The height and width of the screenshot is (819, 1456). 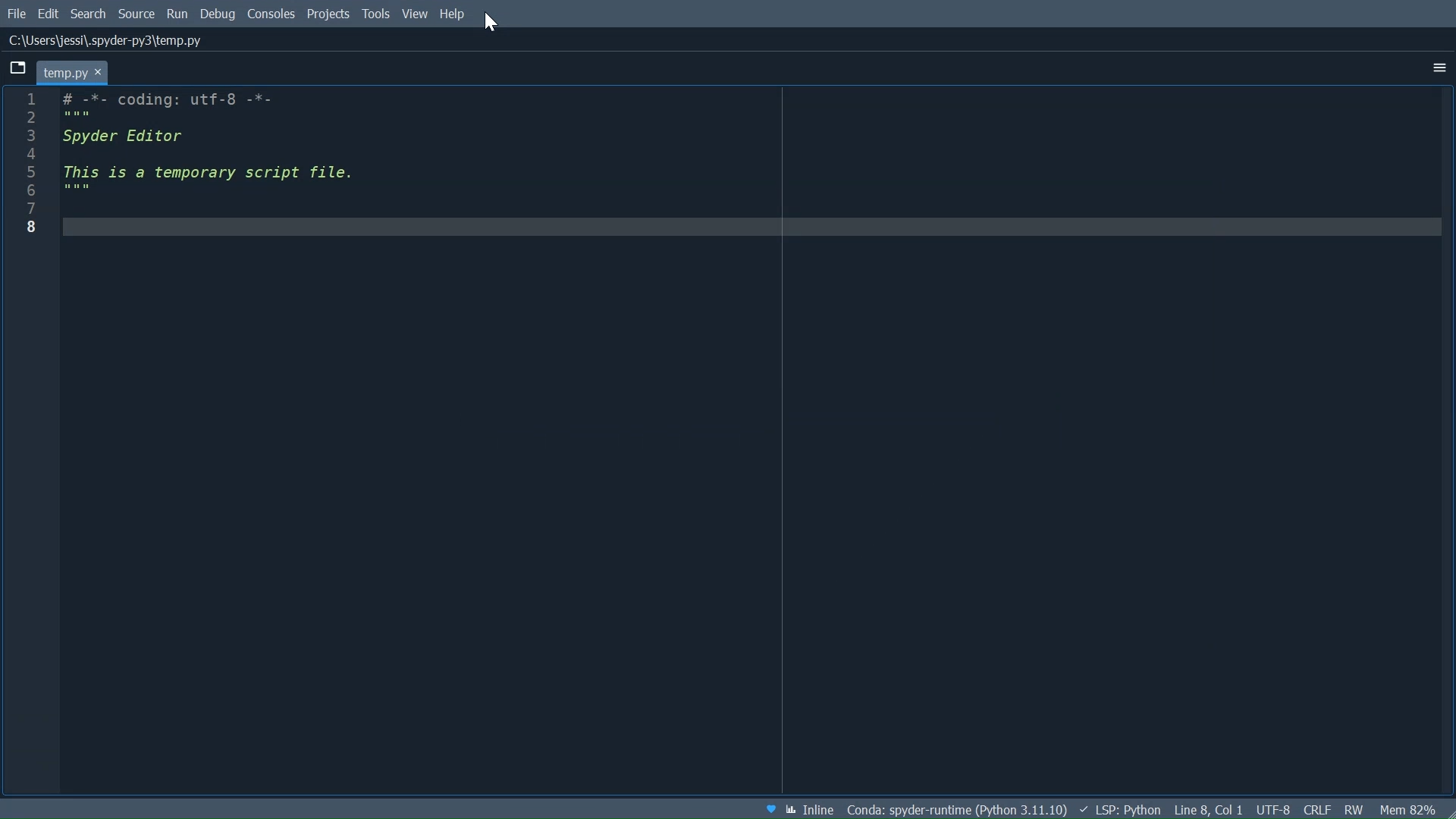 What do you see at coordinates (1211, 810) in the screenshot?
I see `Cursor Position` at bounding box center [1211, 810].